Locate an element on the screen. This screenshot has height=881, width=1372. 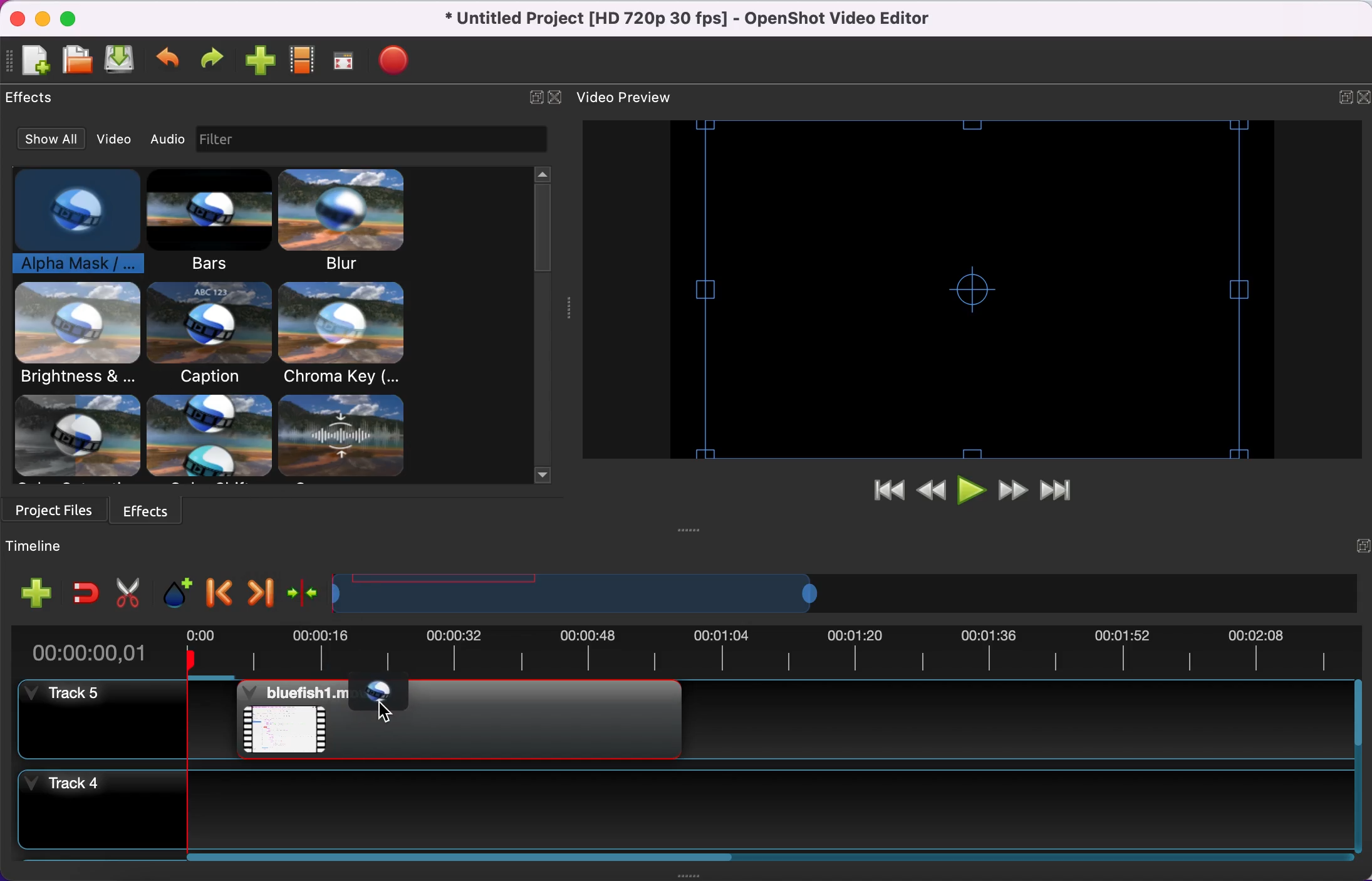
maximize is located at coordinates (71, 18).